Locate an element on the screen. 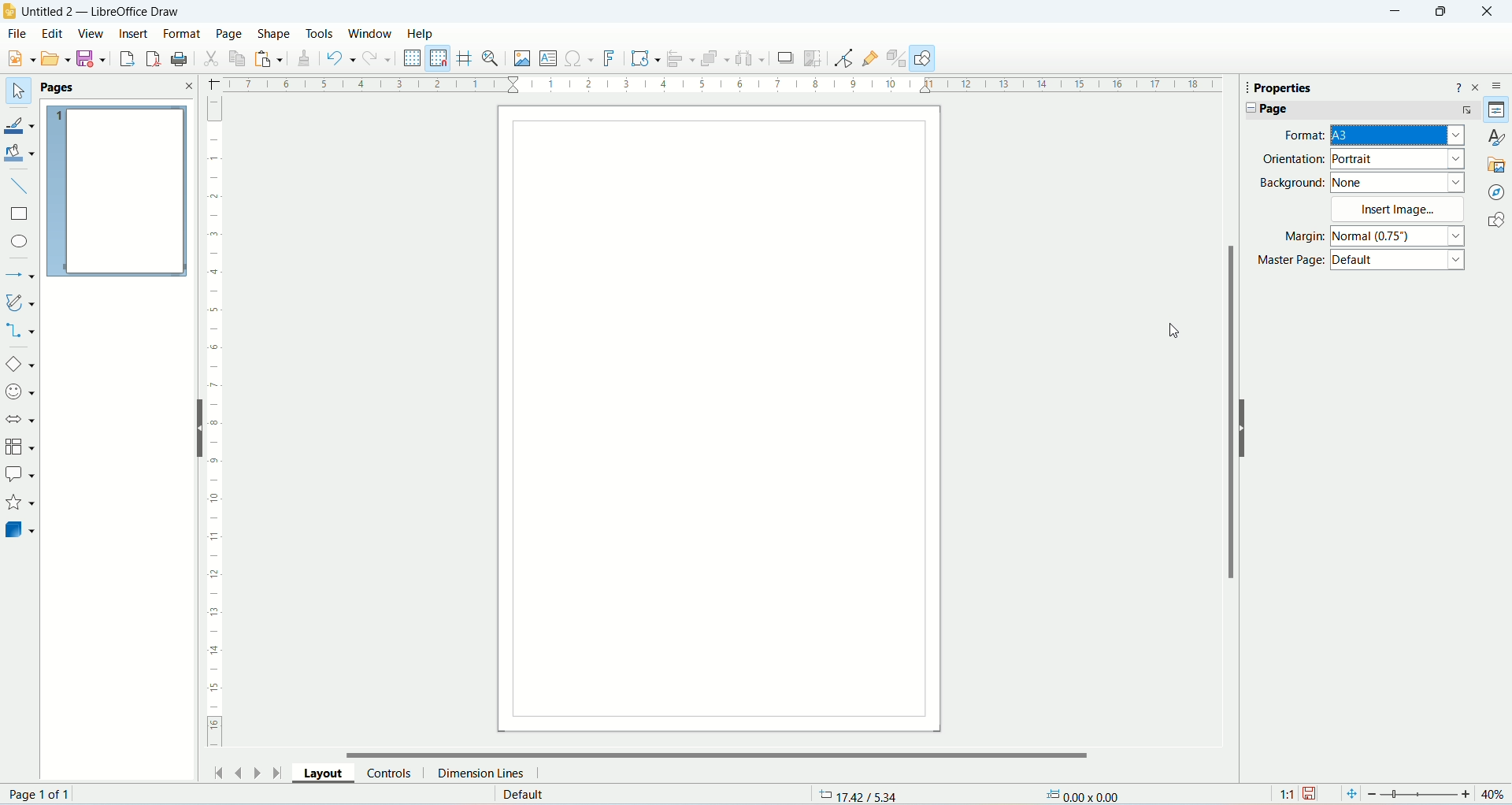 The height and width of the screenshot is (805, 1512). crop image is located at coordinates (813, 58).